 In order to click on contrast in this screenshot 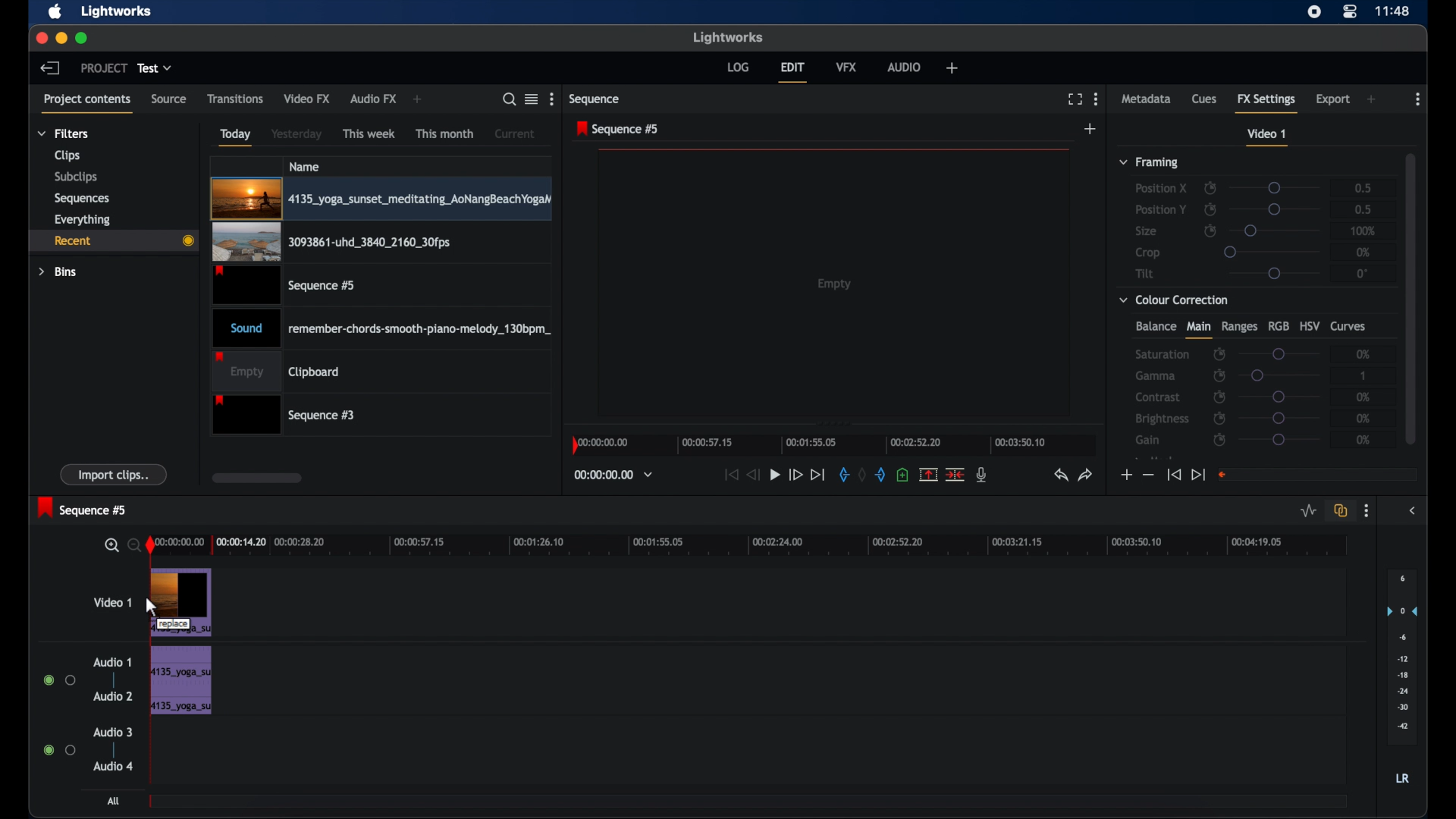, I will do `click(1159, 398)`.